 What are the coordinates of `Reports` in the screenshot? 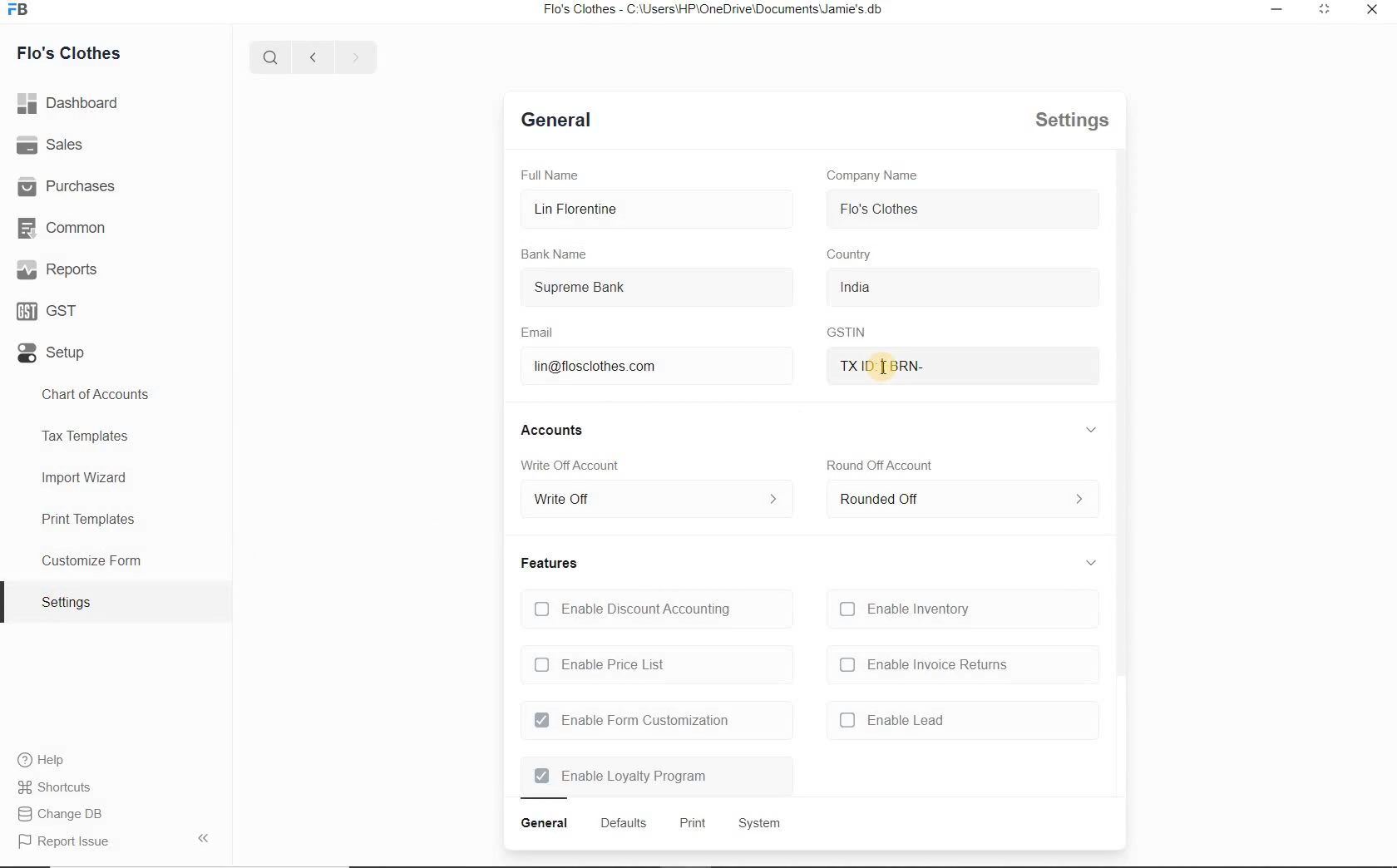 It's located at (62, 269).